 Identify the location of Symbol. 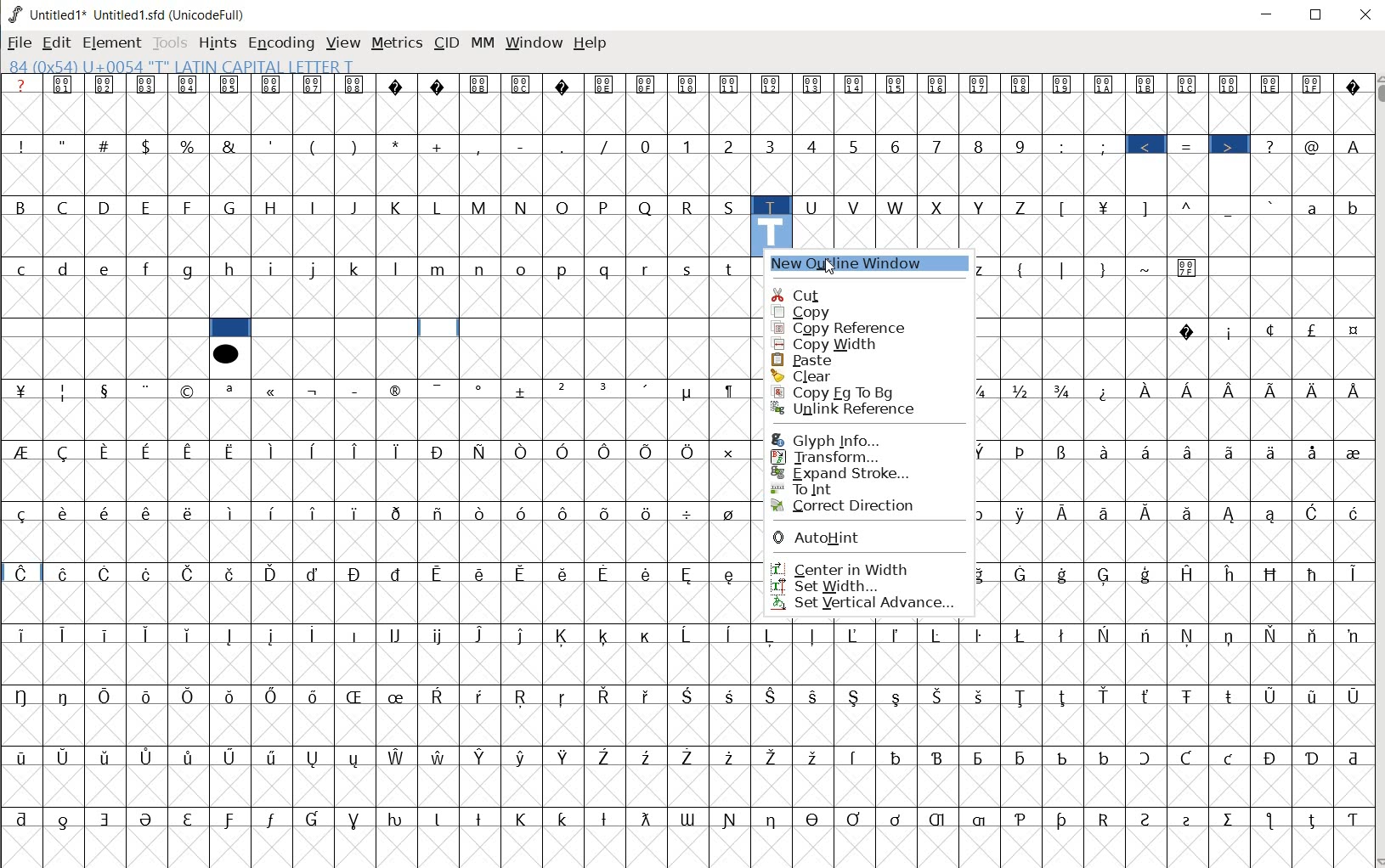
(272, 695).